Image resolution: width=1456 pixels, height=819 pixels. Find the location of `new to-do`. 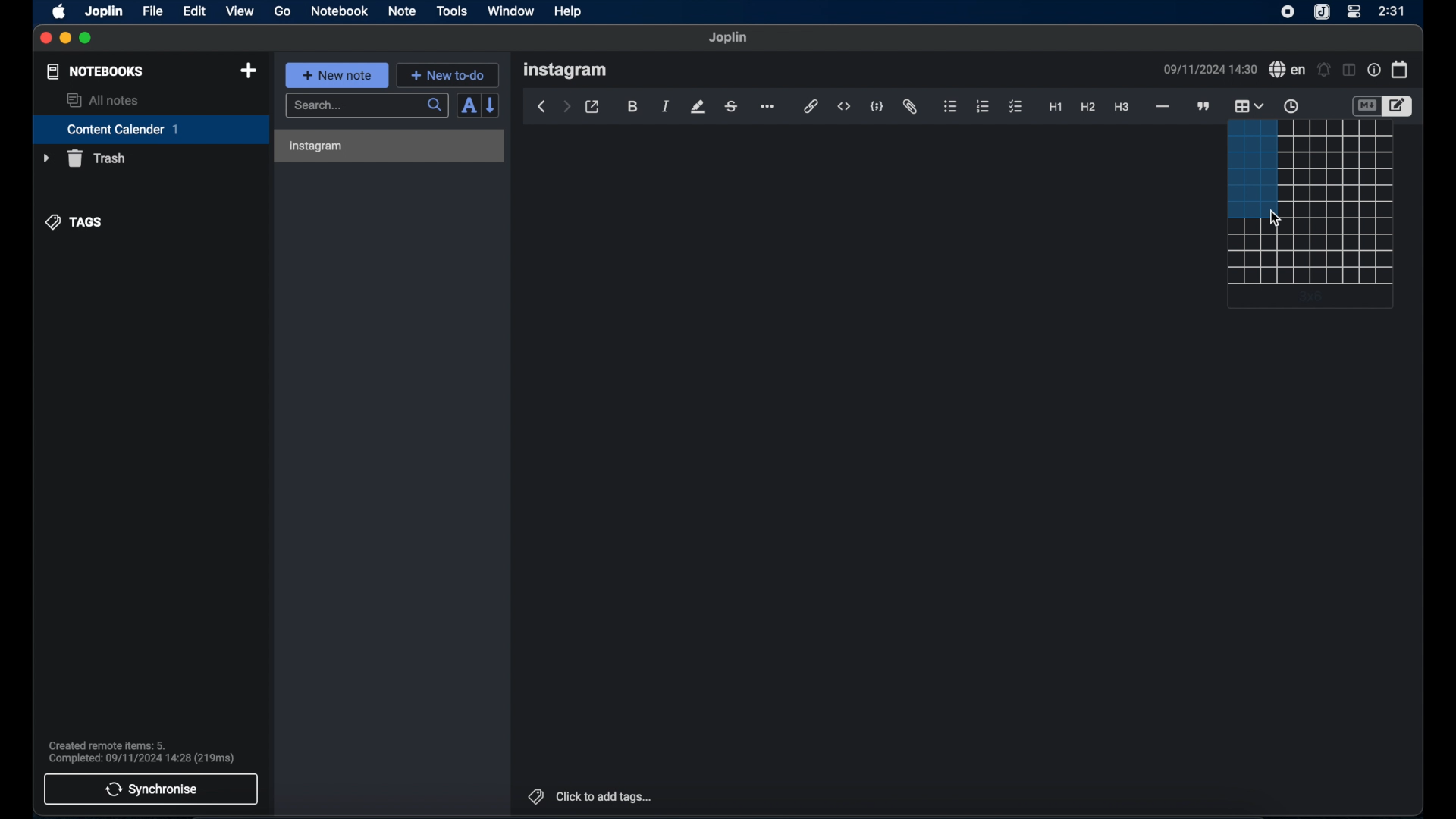

new to-do is located at coordinates (447, 75).